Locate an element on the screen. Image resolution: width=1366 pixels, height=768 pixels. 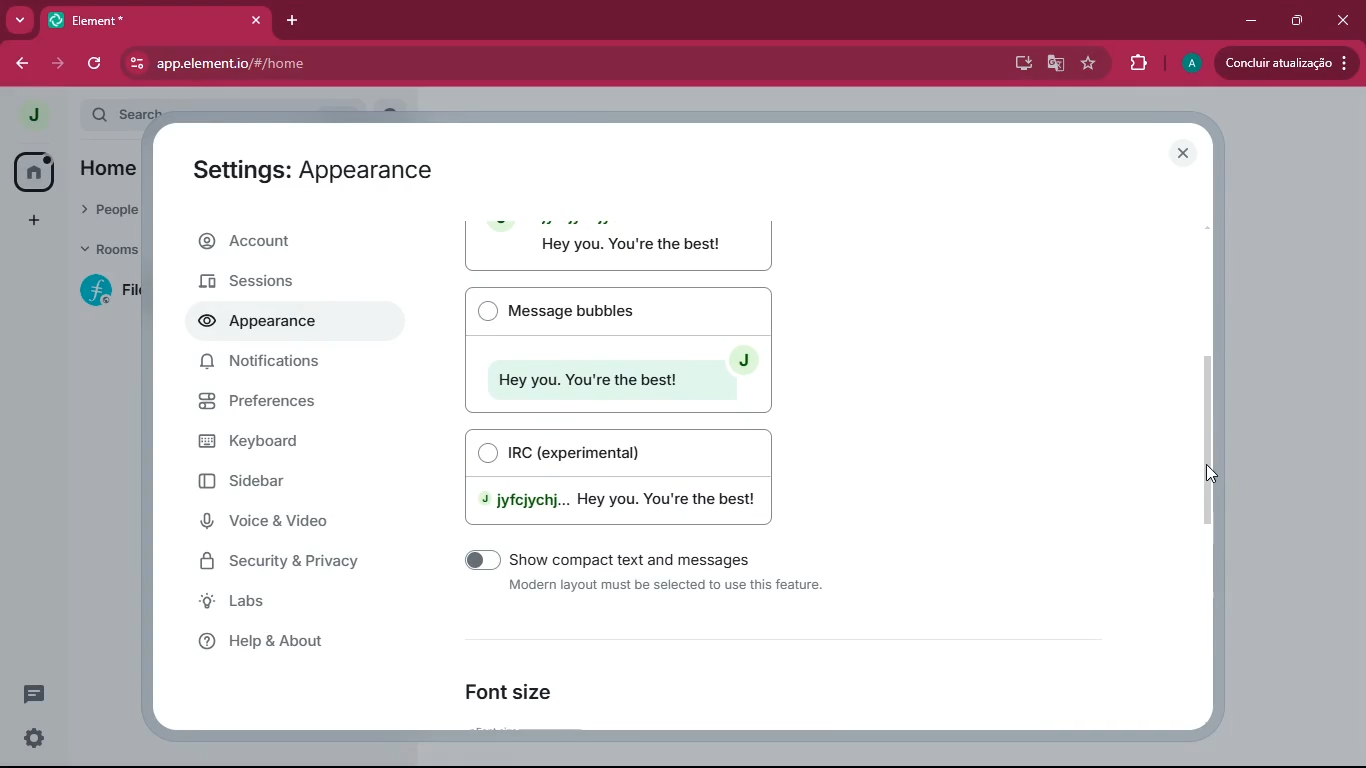
profile is located at coordinates (1188, 64).